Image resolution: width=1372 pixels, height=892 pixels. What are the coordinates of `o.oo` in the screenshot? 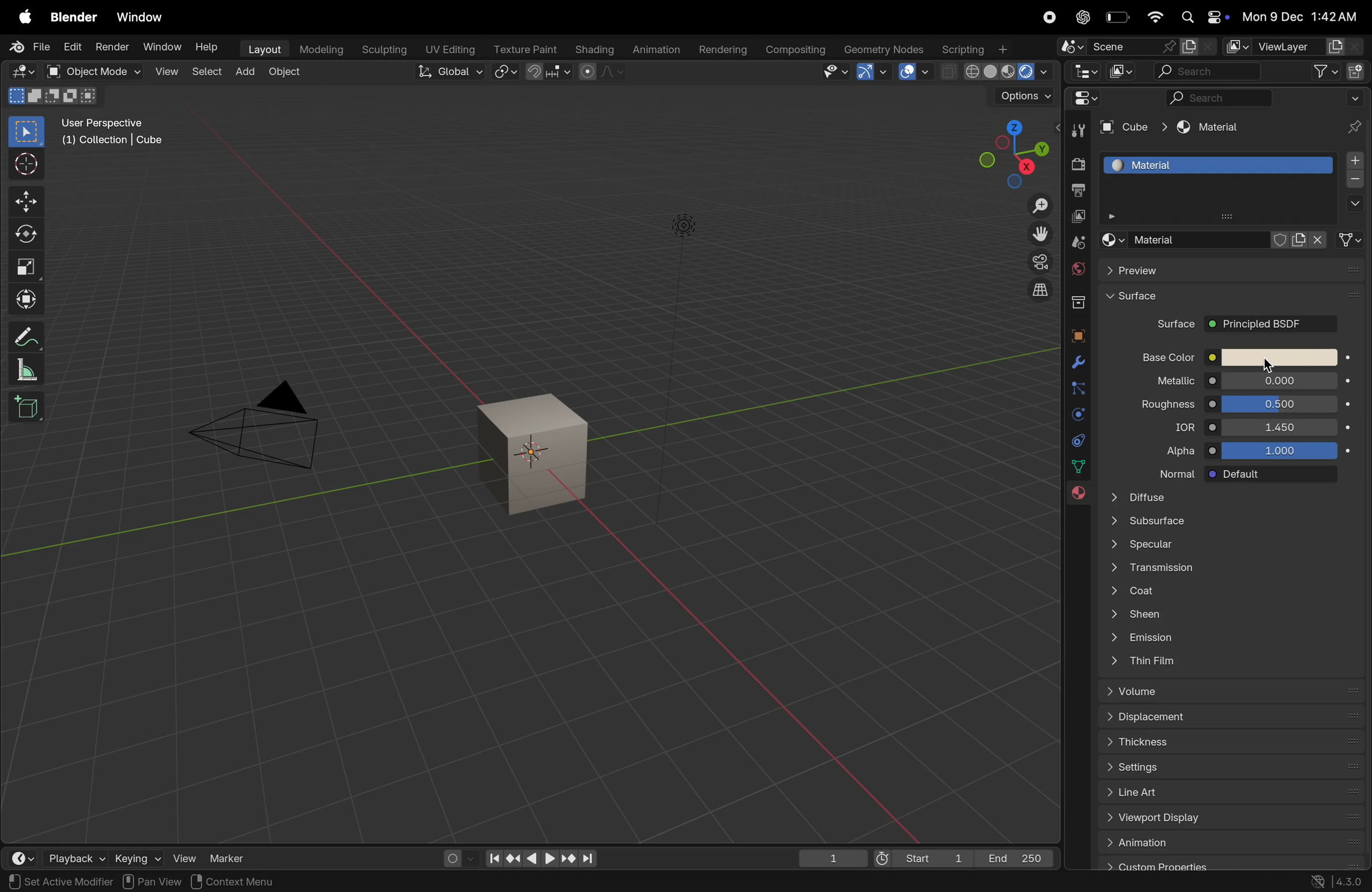 It's located at (1280, 381).